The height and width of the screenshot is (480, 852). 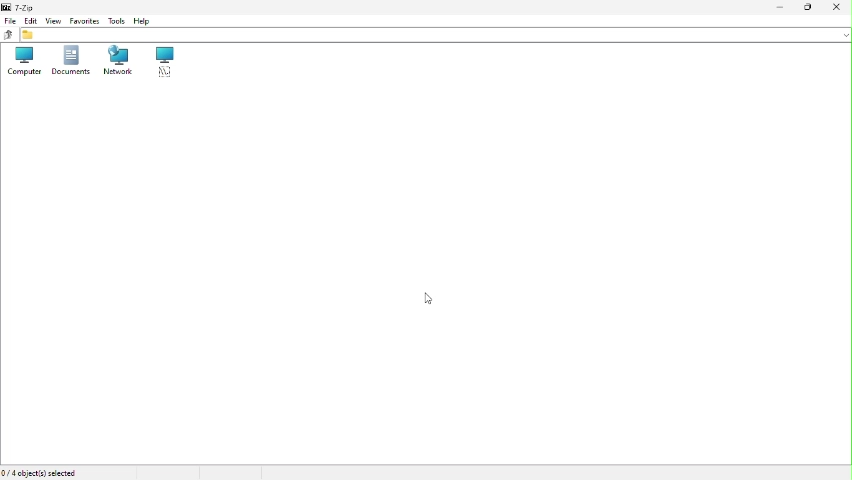 I want to click on Help, so click(x=146, y=19).